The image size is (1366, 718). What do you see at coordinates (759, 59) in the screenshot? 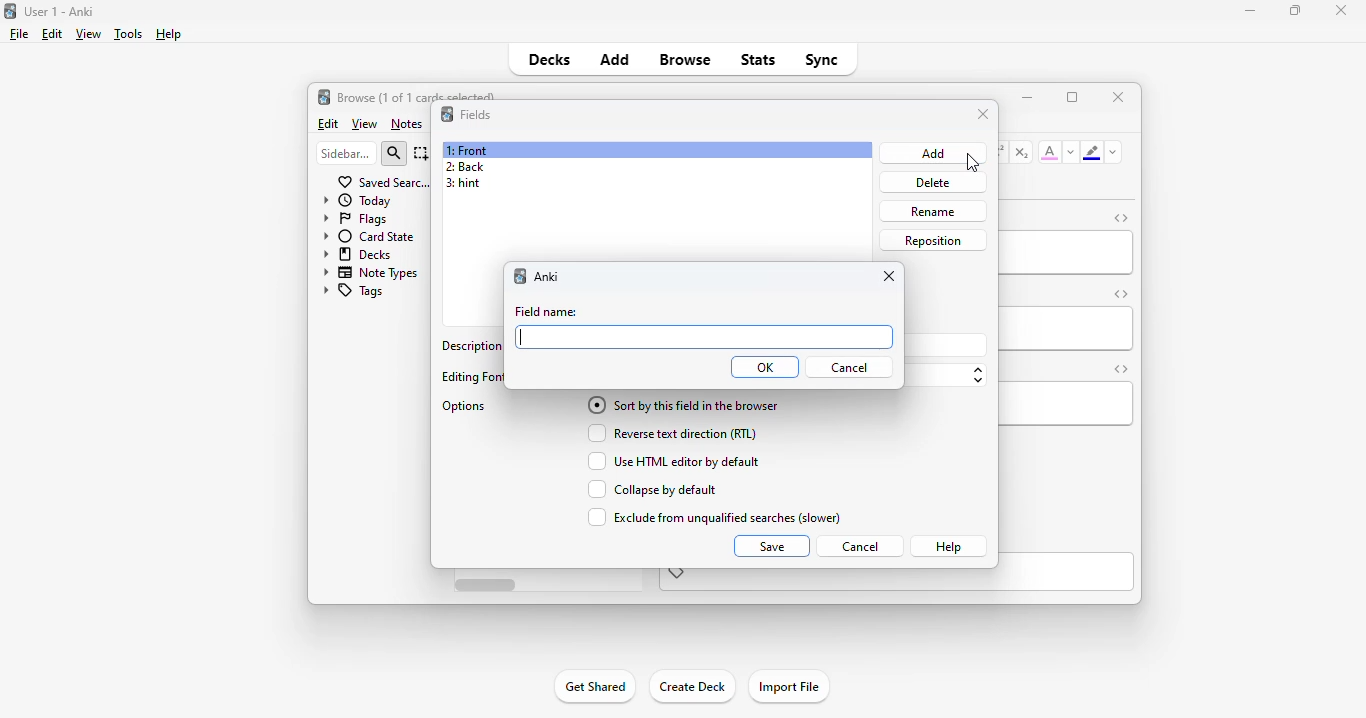
I see `stats` at bounding box center [759, 59].